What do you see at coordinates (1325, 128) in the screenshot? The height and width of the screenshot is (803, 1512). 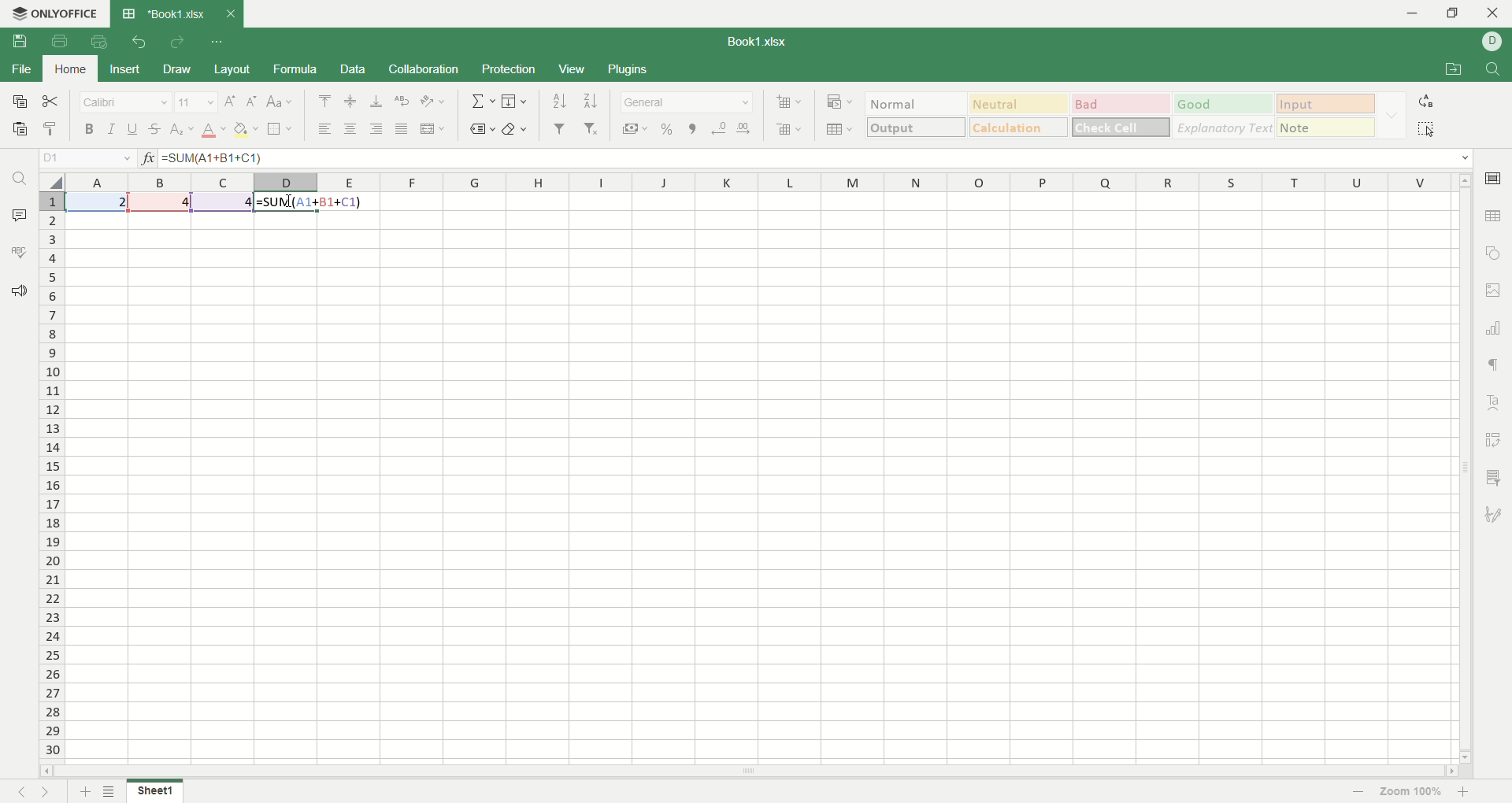 I see `note` at bounding box center [1325, 128].